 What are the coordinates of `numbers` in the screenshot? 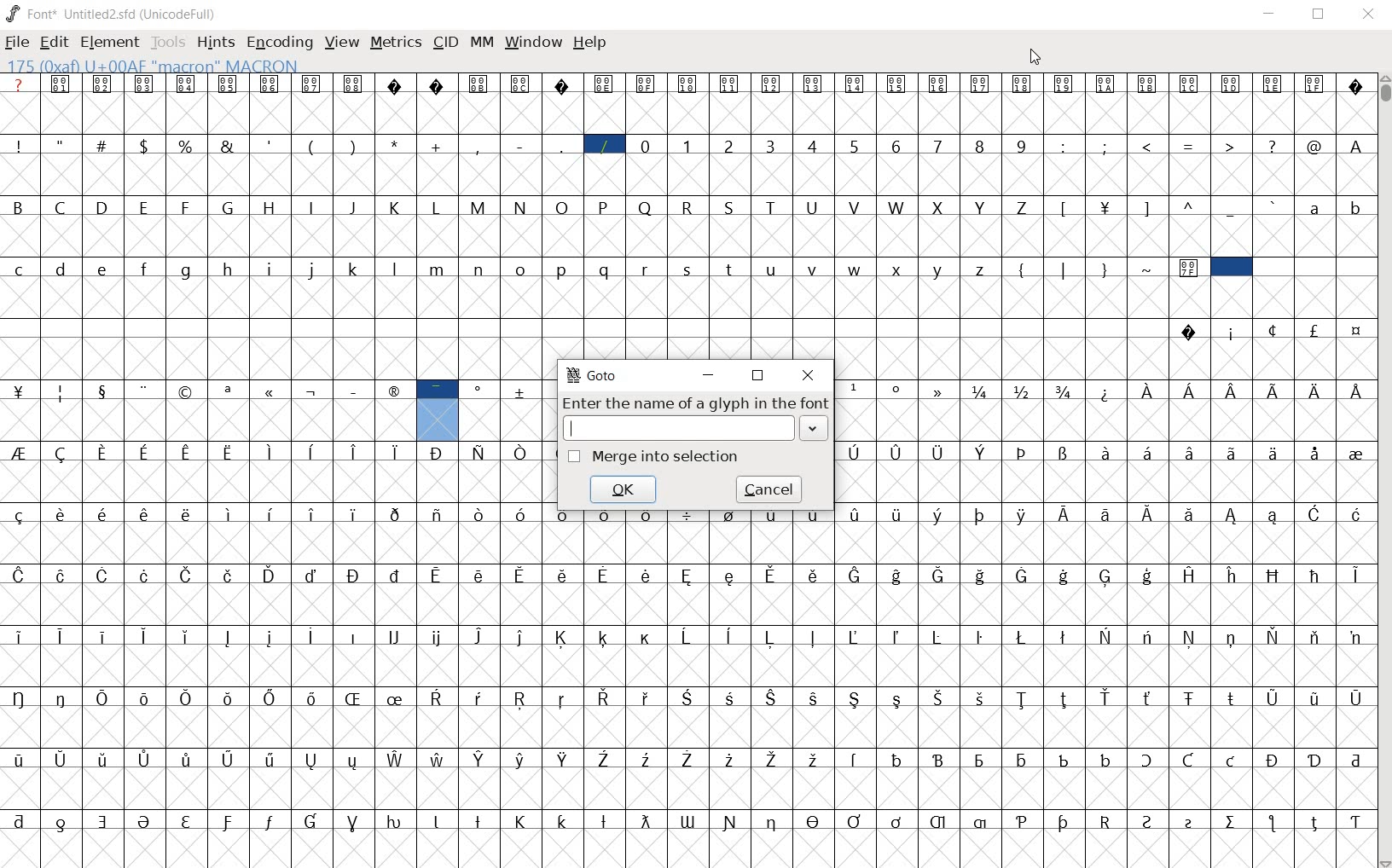 It's located at (833, 165).